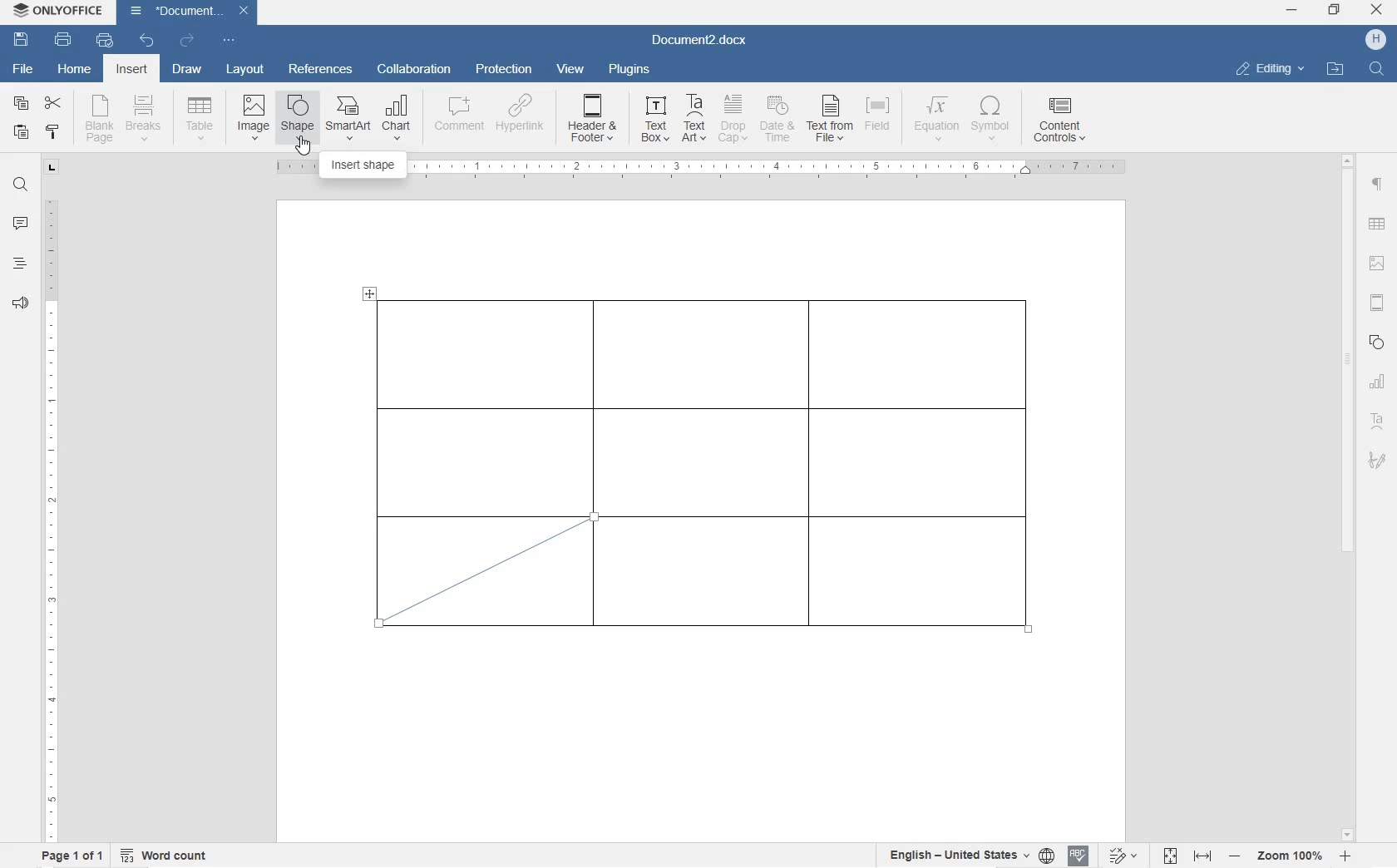 The width and height of the screenshot is (1397, 868). What do you see at coordinates (304, 150) in the screenshot?
I see `cursor` at bounding box center [304, 150].